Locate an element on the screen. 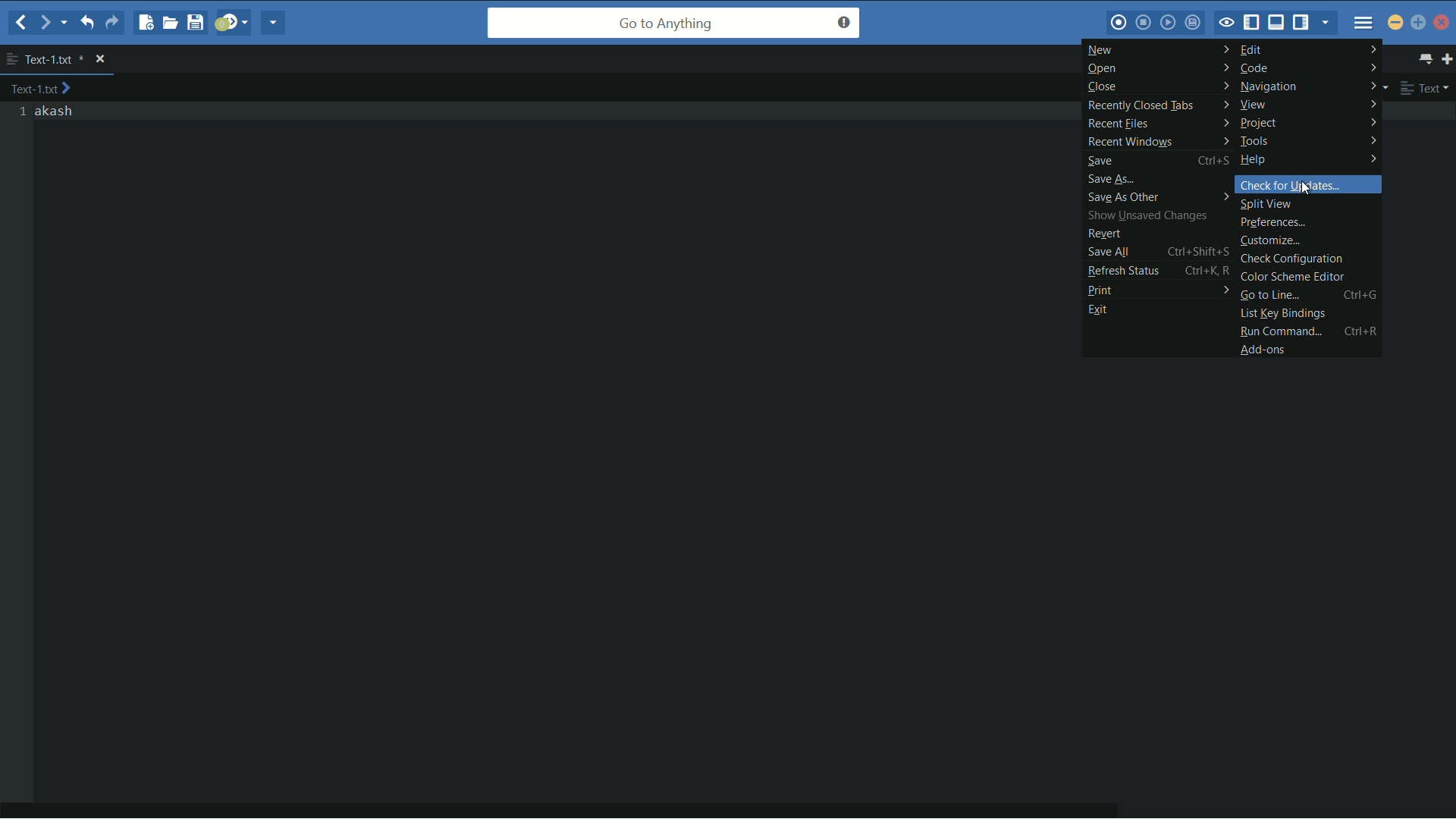 This screenshot has height=819, width=1456. save as is located at coordinates (1156, 178).